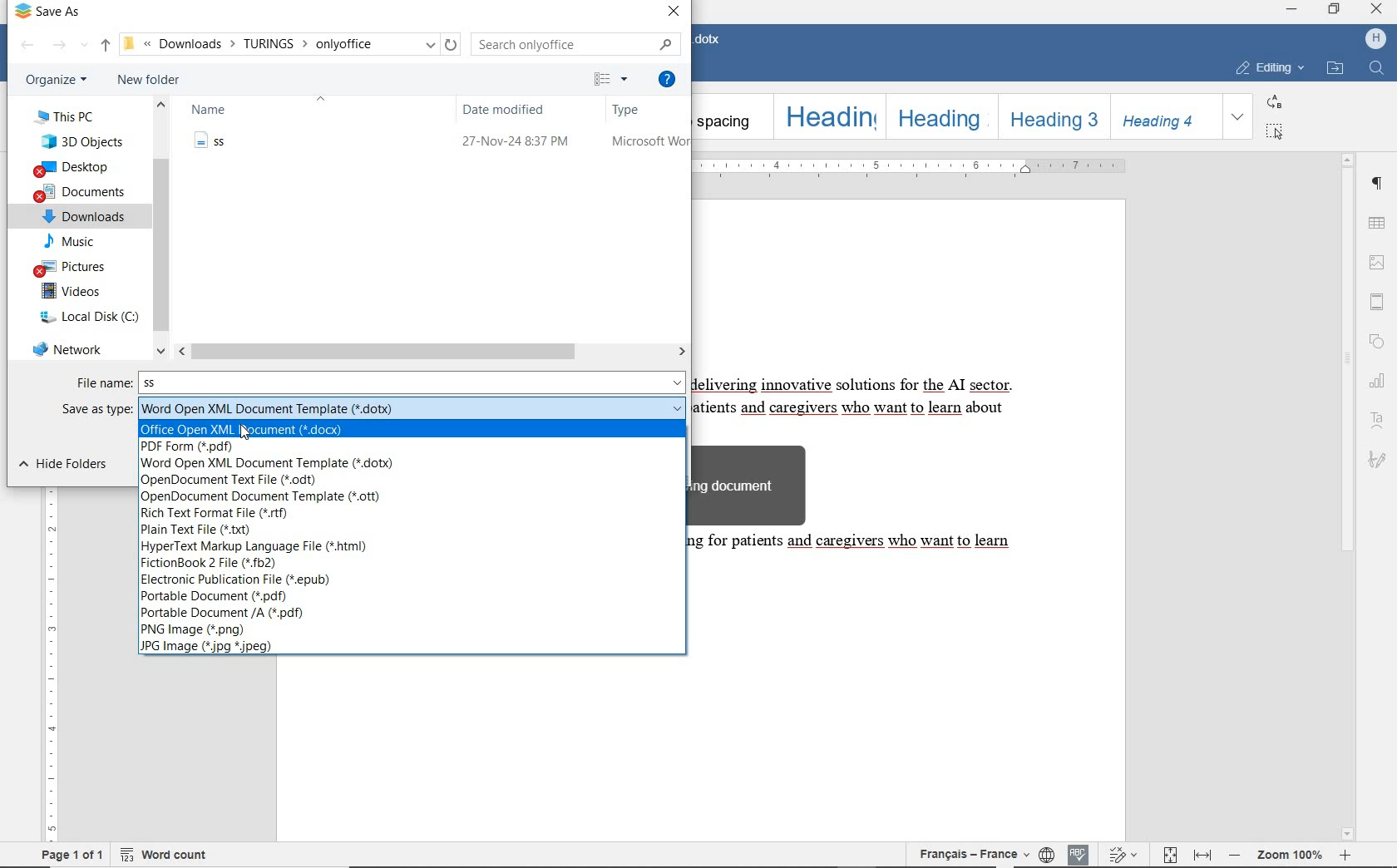 Image resolution: width=1397 pixels, height=868 pixels. Describe the element at coordinates (682, 350) in the screenshot. I see `scroll right` at that location.